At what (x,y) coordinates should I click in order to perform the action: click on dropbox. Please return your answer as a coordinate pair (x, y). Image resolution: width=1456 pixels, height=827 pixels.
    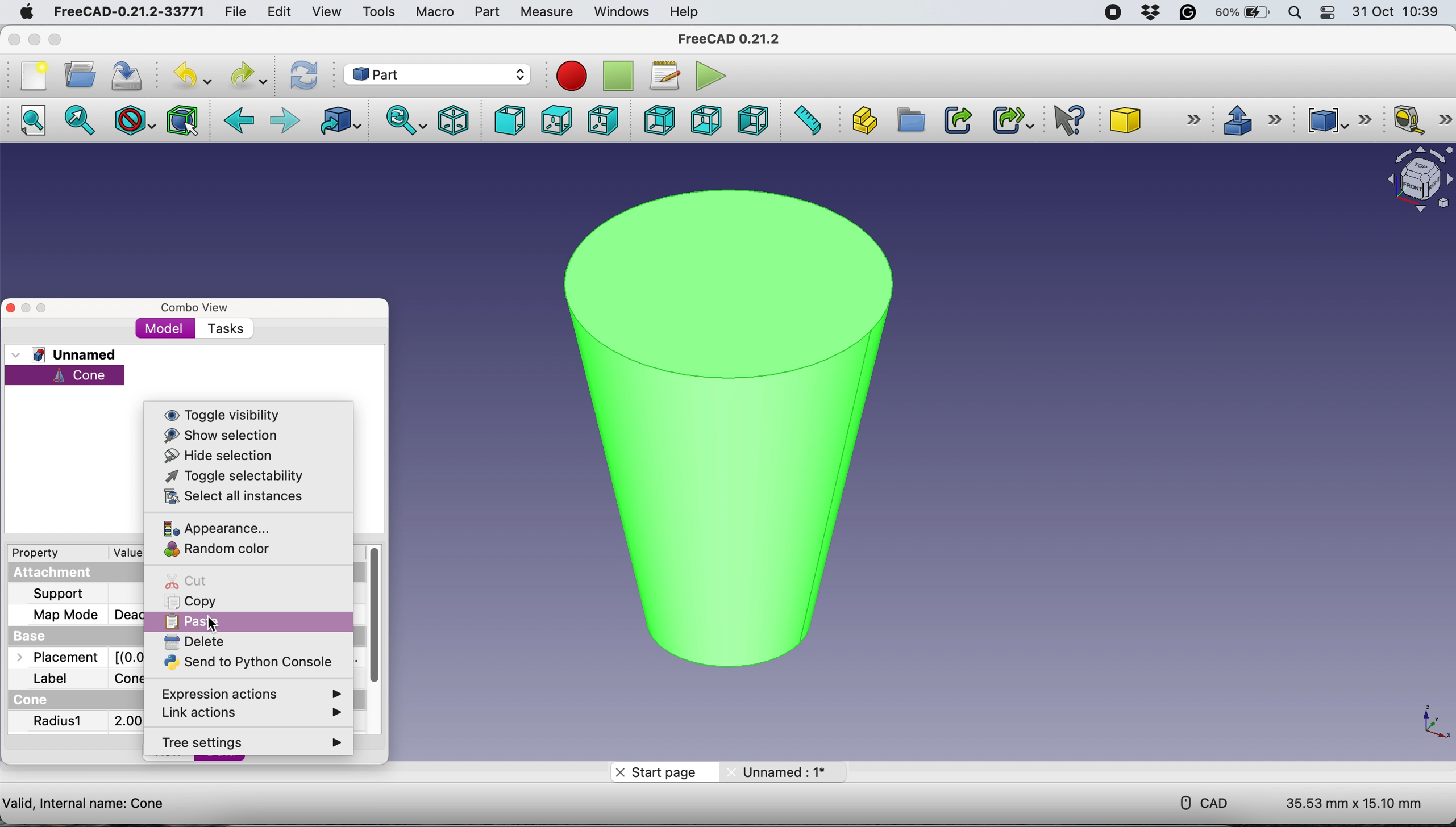
    Looking at the image, I should click on (1147, 13).